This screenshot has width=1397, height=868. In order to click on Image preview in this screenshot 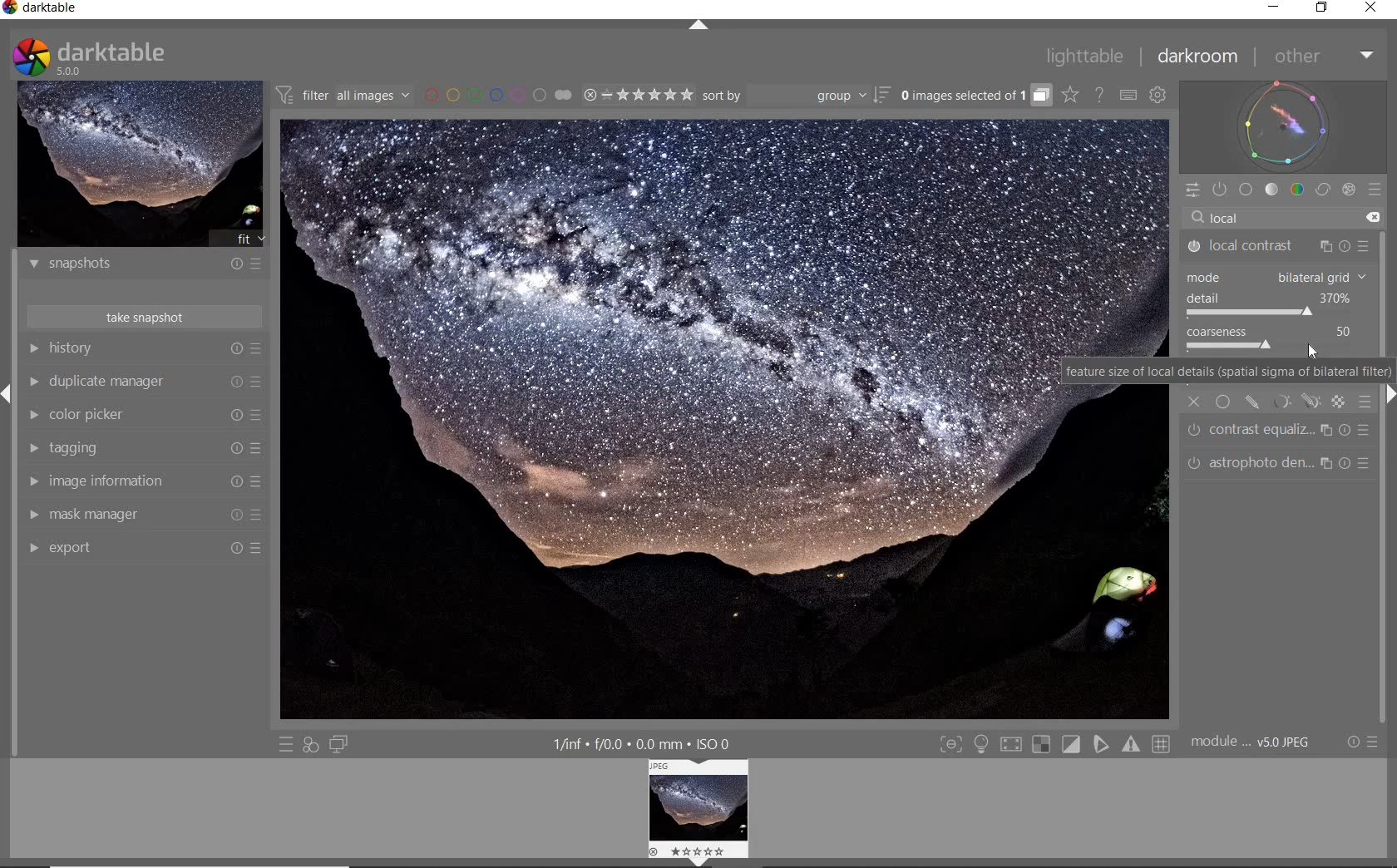, I will do `click(667, 417)`.